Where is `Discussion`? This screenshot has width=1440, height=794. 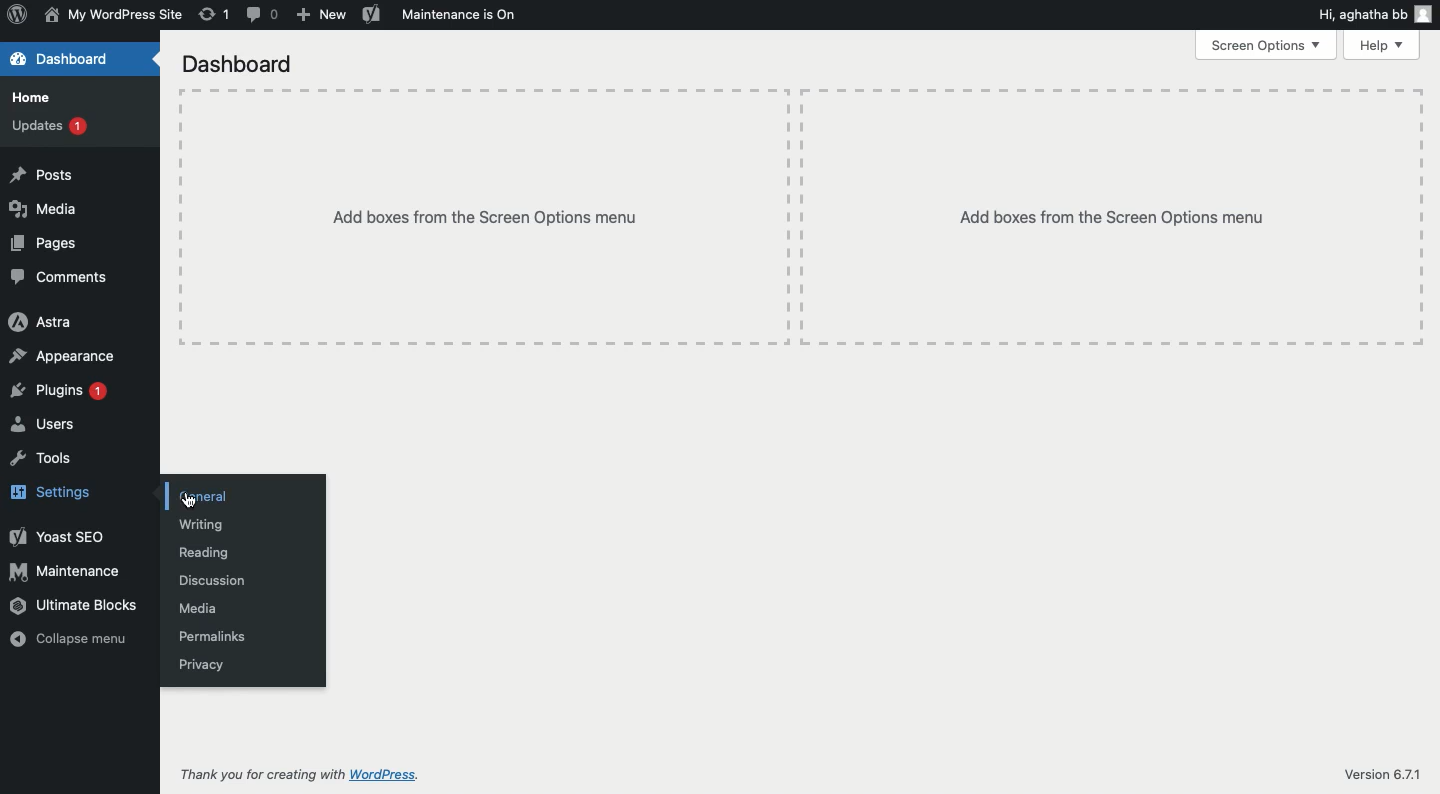 Discussion is located at coordinates (212, 579).